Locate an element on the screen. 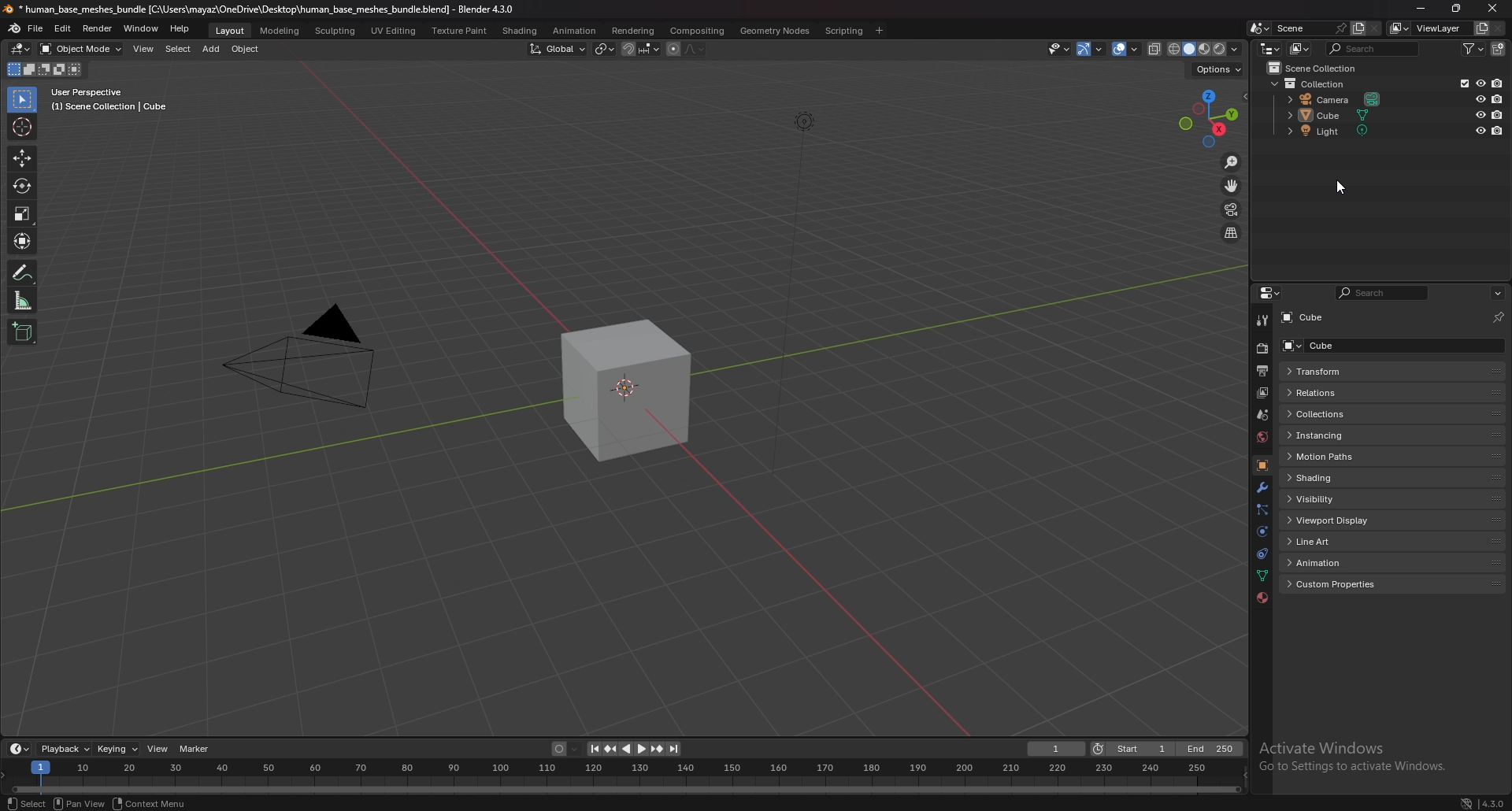  editor type is located at coordinates (20, 748).